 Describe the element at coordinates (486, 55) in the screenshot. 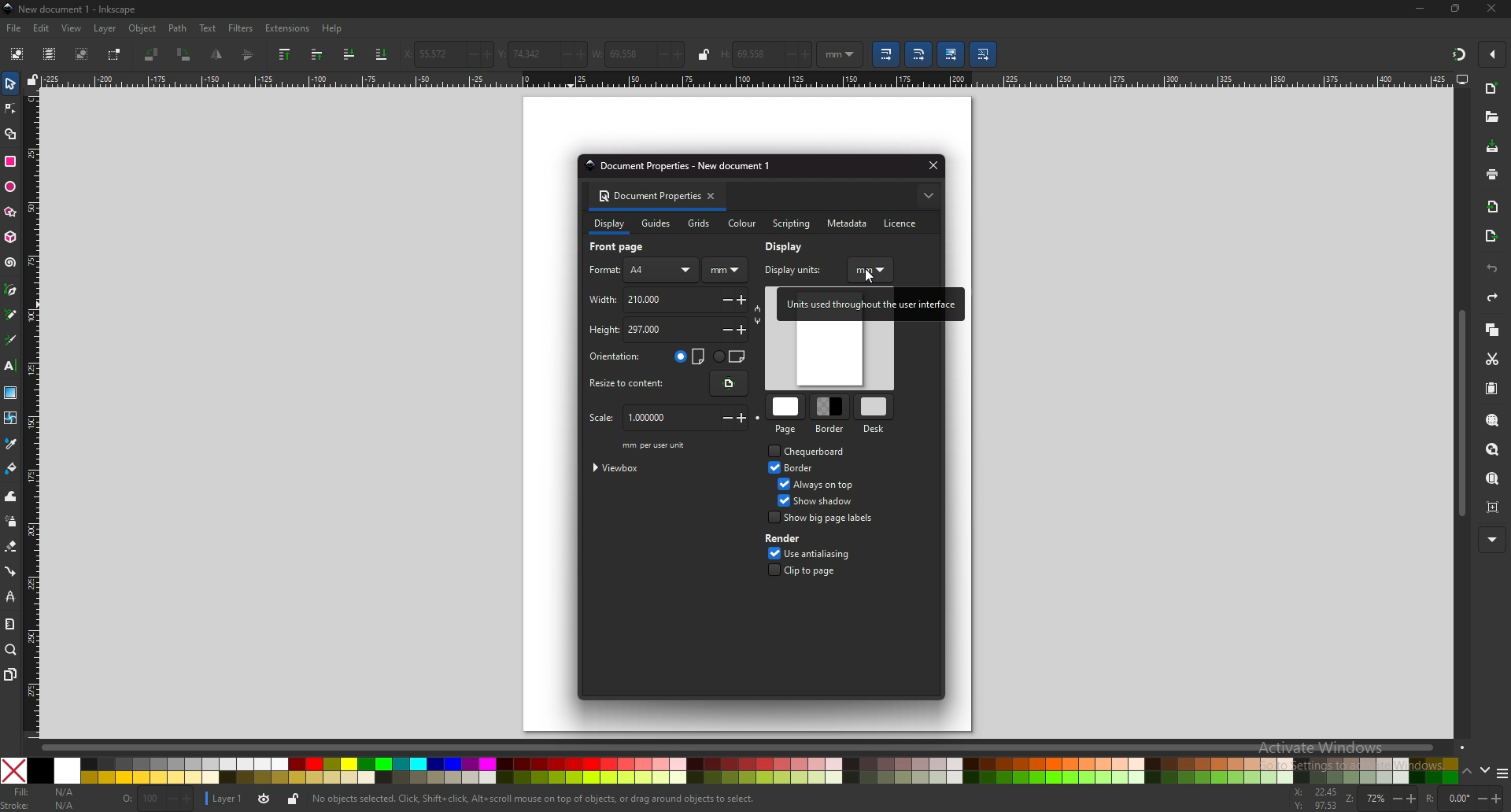

I see `+` at that location.